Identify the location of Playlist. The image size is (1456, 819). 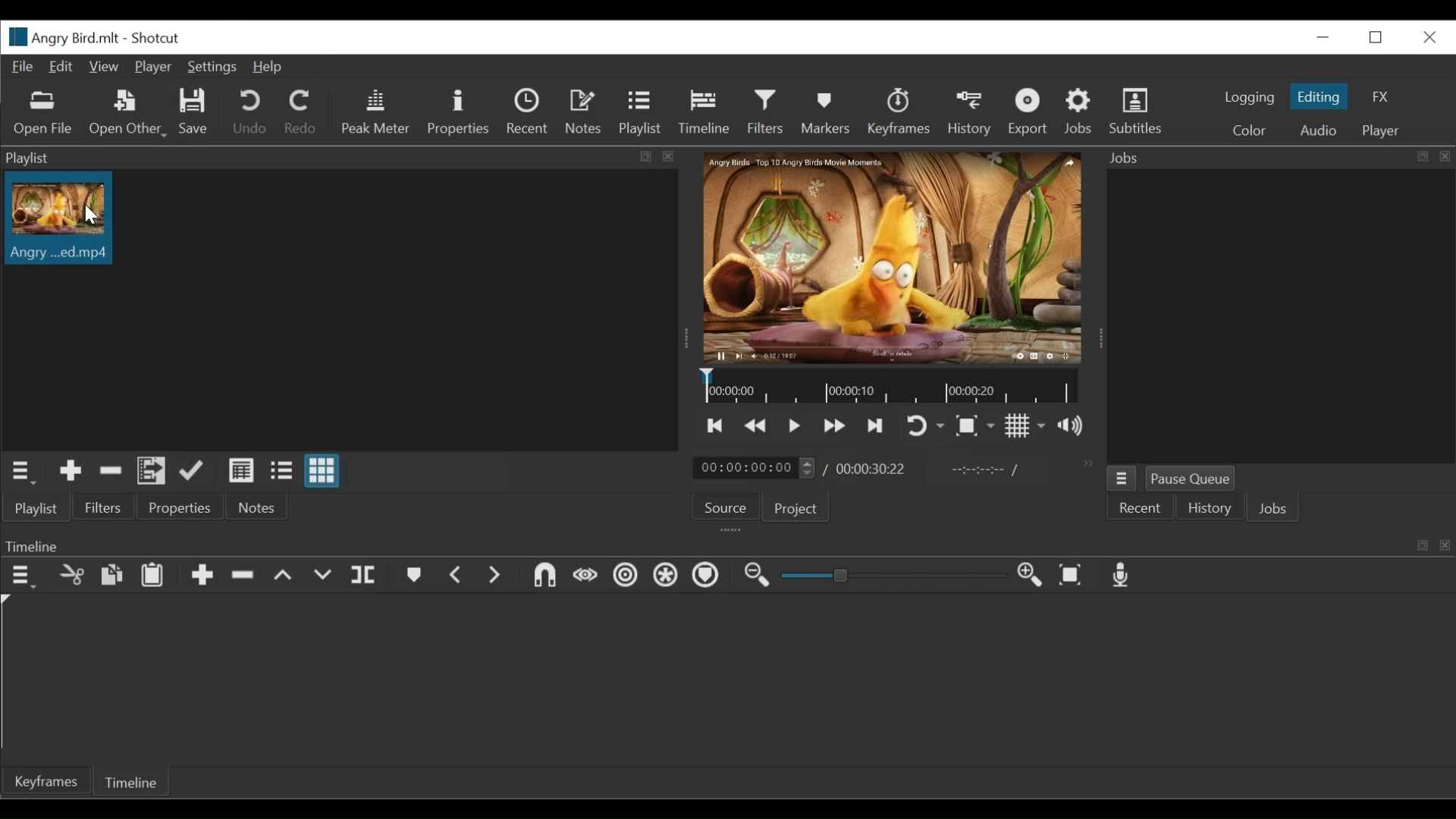
(34, 508).